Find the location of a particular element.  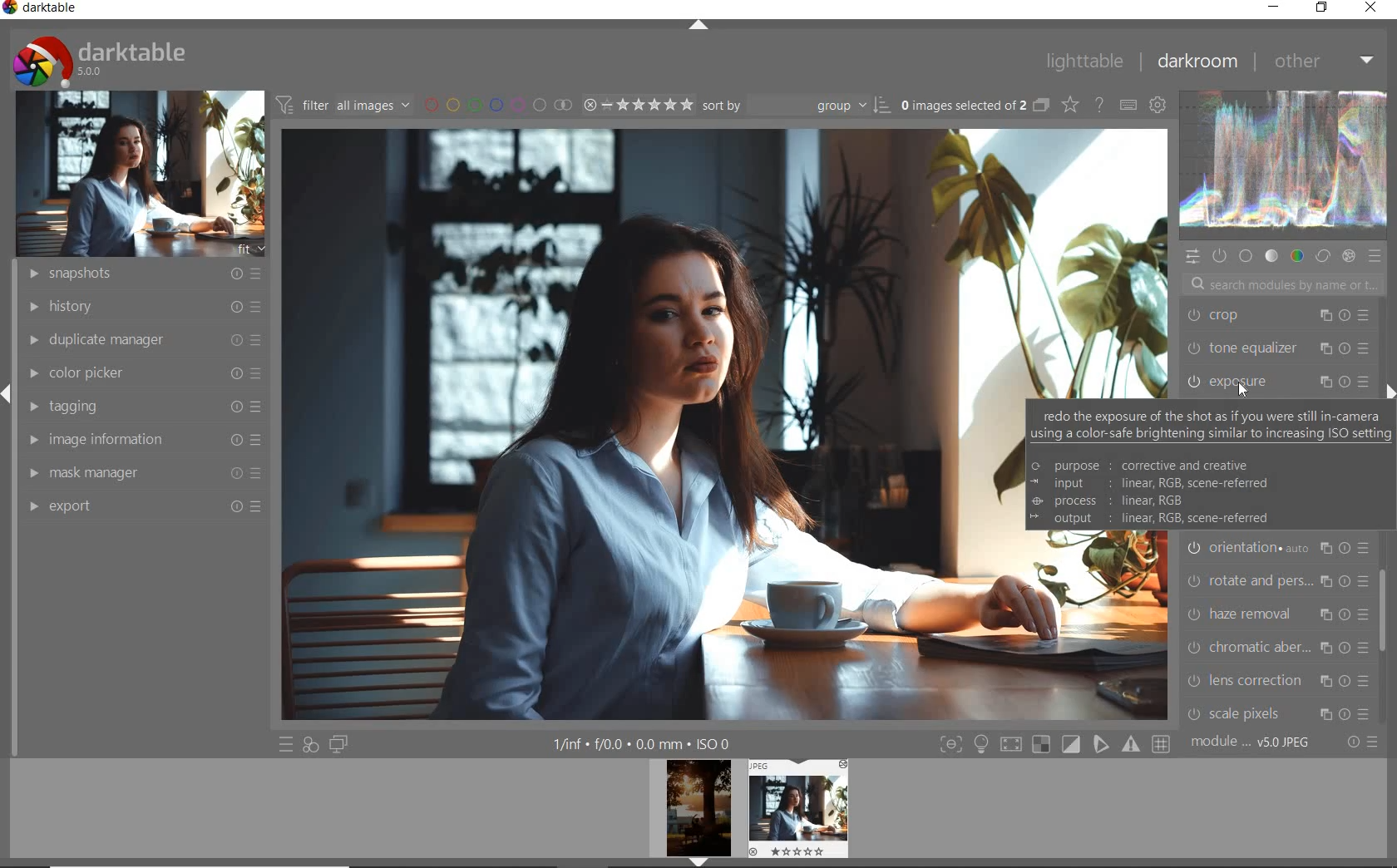

IMAGE is located at coordinates (136, 173).